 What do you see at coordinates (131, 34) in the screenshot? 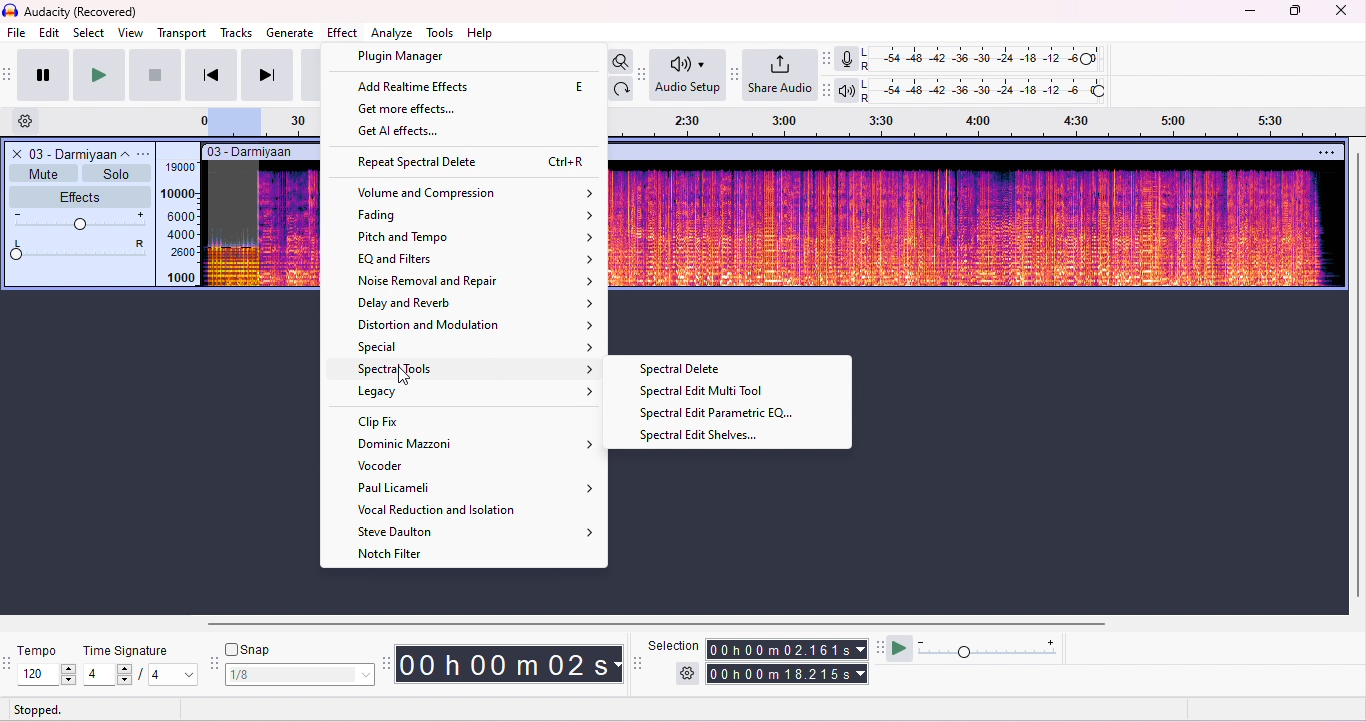
I see `view` at bounding box center [131, 34].